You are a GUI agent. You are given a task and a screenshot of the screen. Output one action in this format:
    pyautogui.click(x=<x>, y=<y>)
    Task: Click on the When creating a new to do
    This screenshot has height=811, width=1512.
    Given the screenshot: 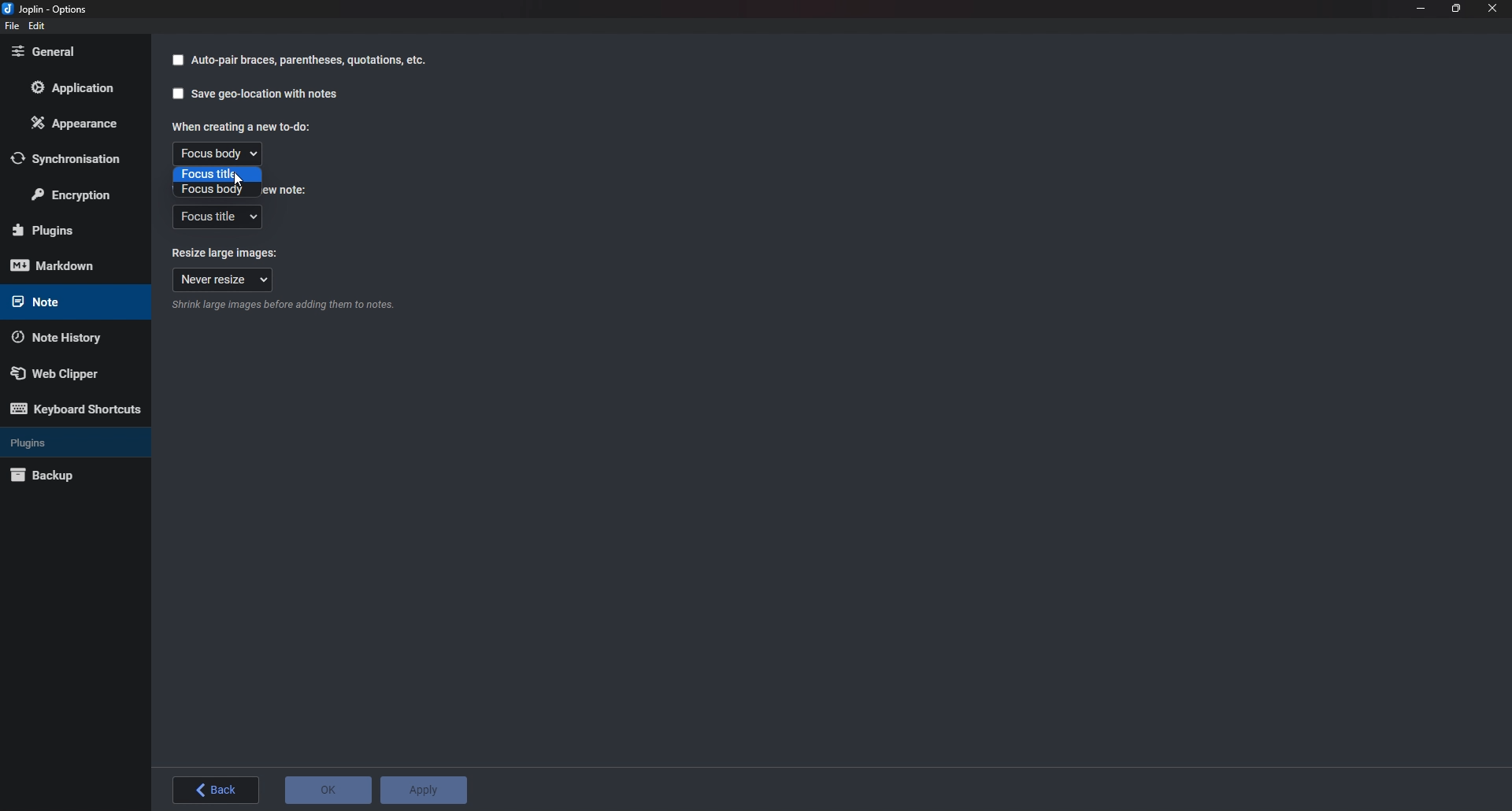 What is the action you would take?
    pyautogui.click(x=239, y=125)
    